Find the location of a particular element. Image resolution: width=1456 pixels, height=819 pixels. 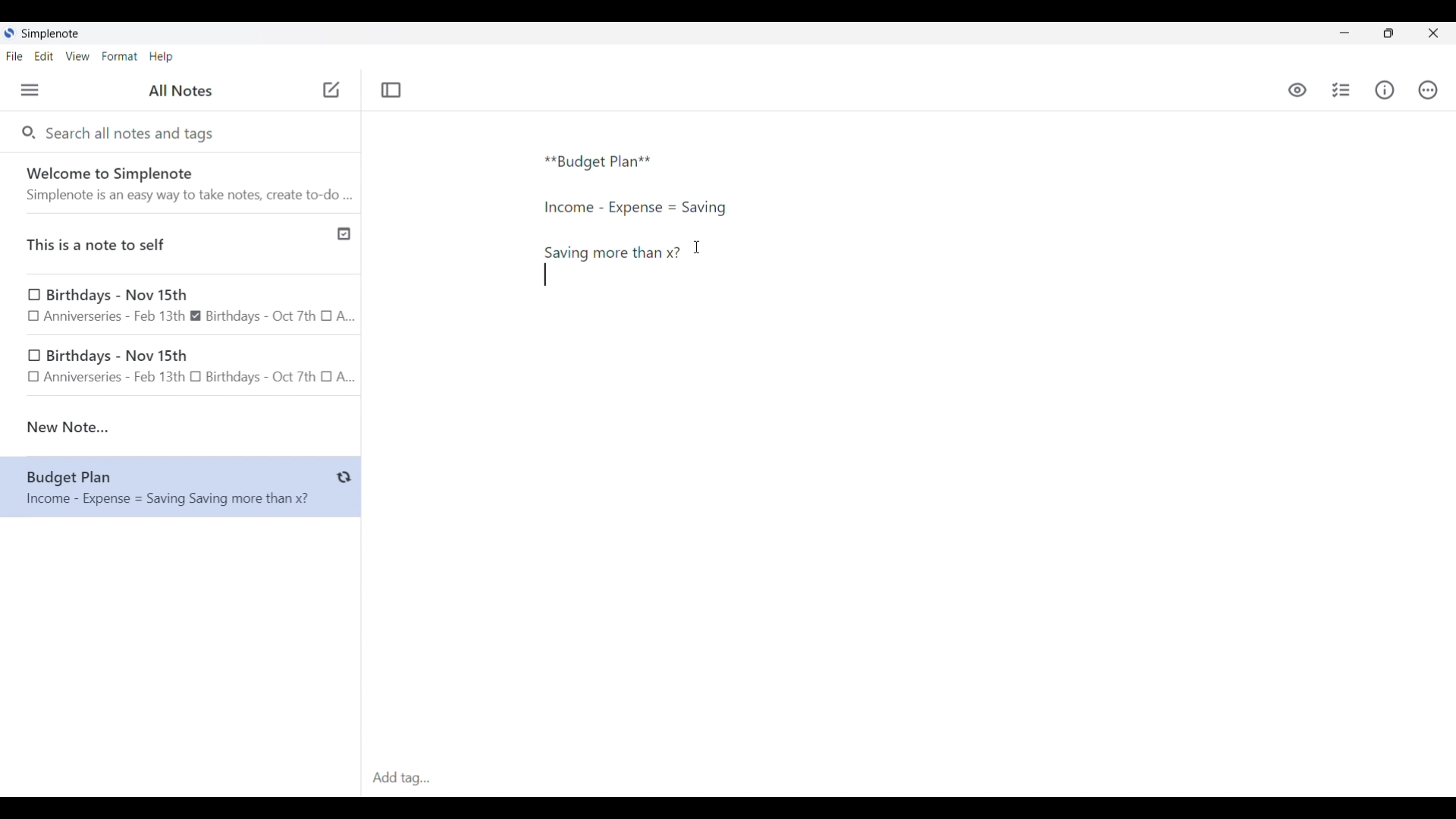

Insert checklist is located at coordinates (1342, 90).